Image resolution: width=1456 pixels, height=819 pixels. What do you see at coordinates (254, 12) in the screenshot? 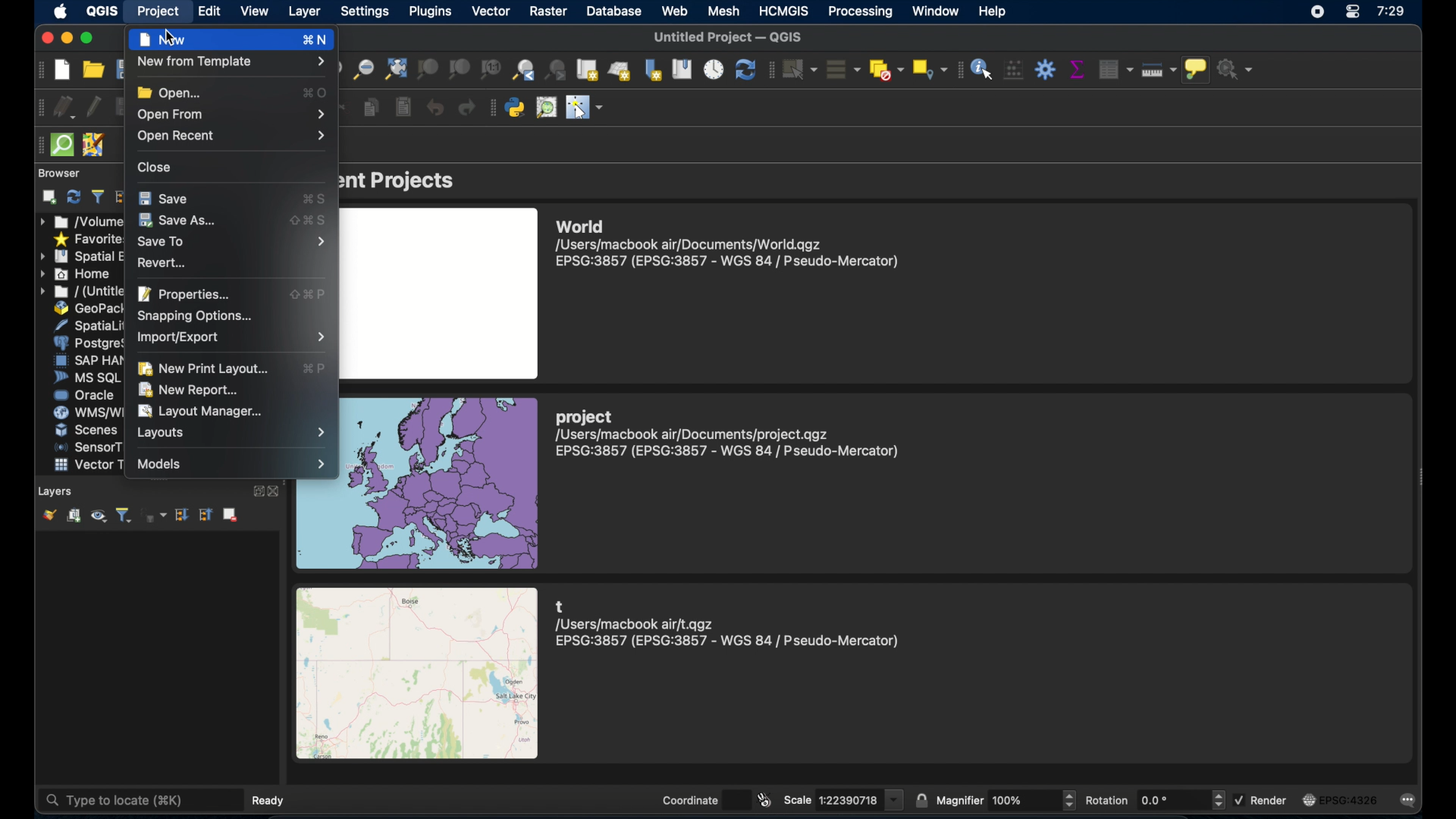
I see `view` at bounding box center [254, 12].